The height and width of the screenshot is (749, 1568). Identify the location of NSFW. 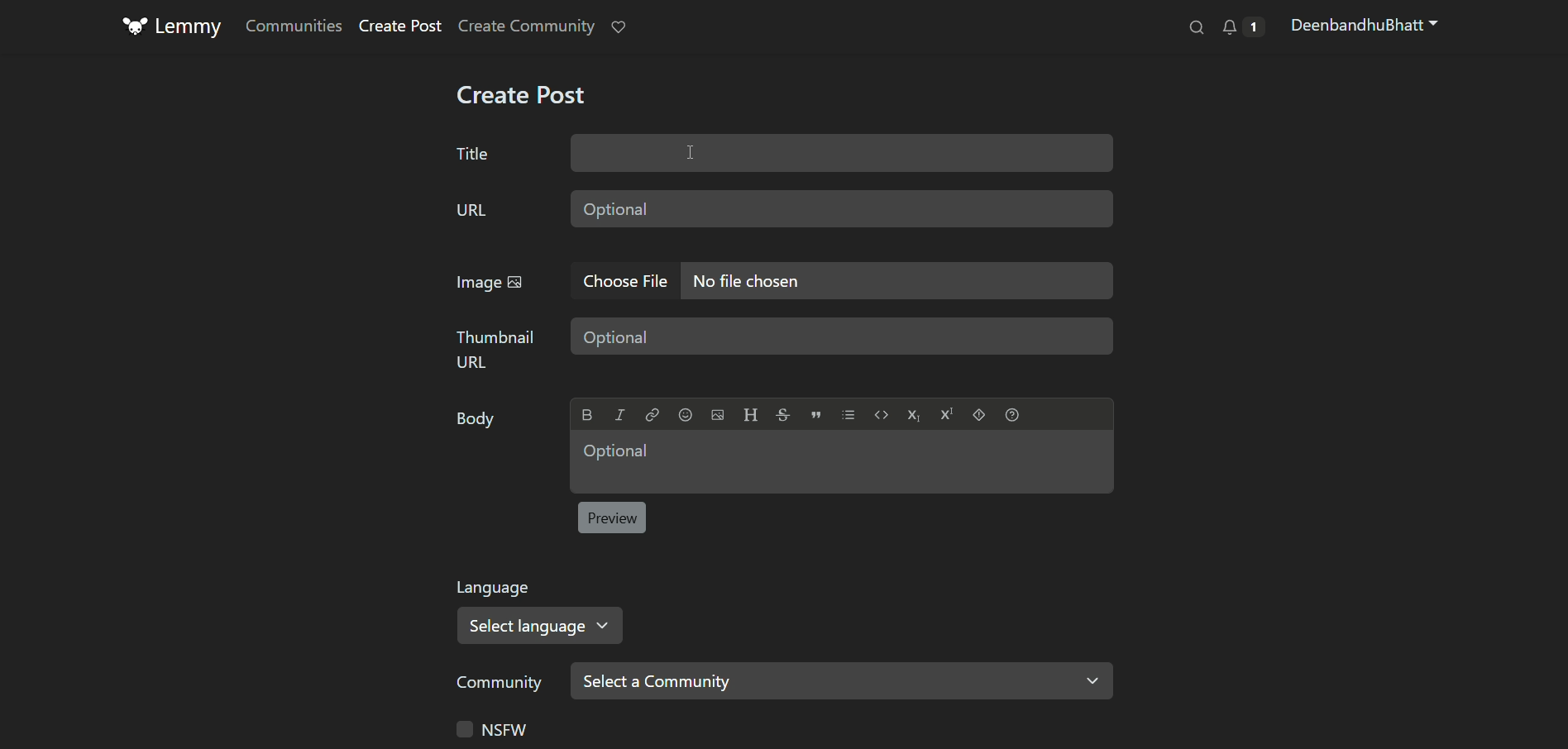
(490, 729).